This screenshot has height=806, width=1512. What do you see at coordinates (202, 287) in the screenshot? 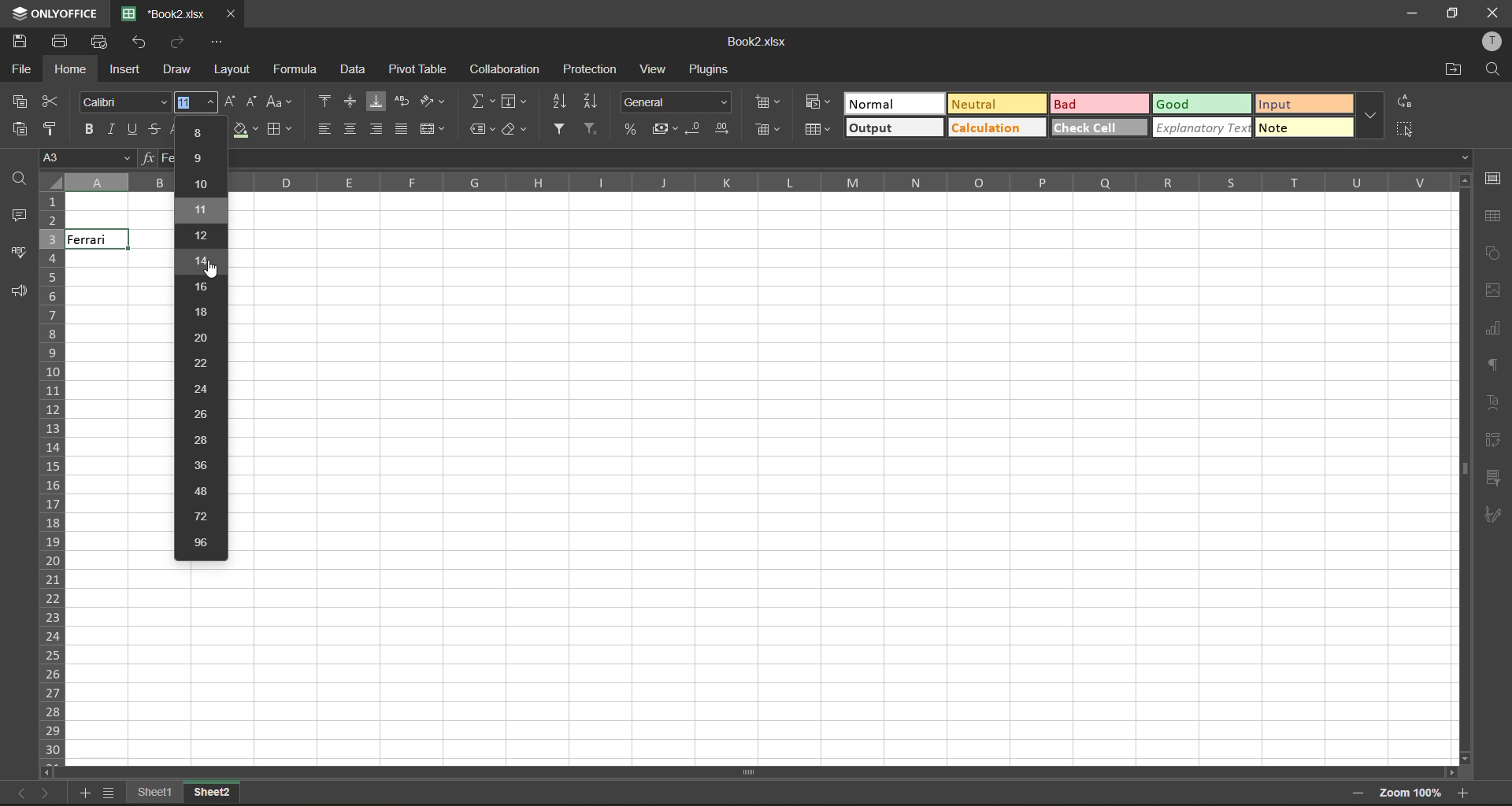
I see `16` at bounding box center [202, 287].